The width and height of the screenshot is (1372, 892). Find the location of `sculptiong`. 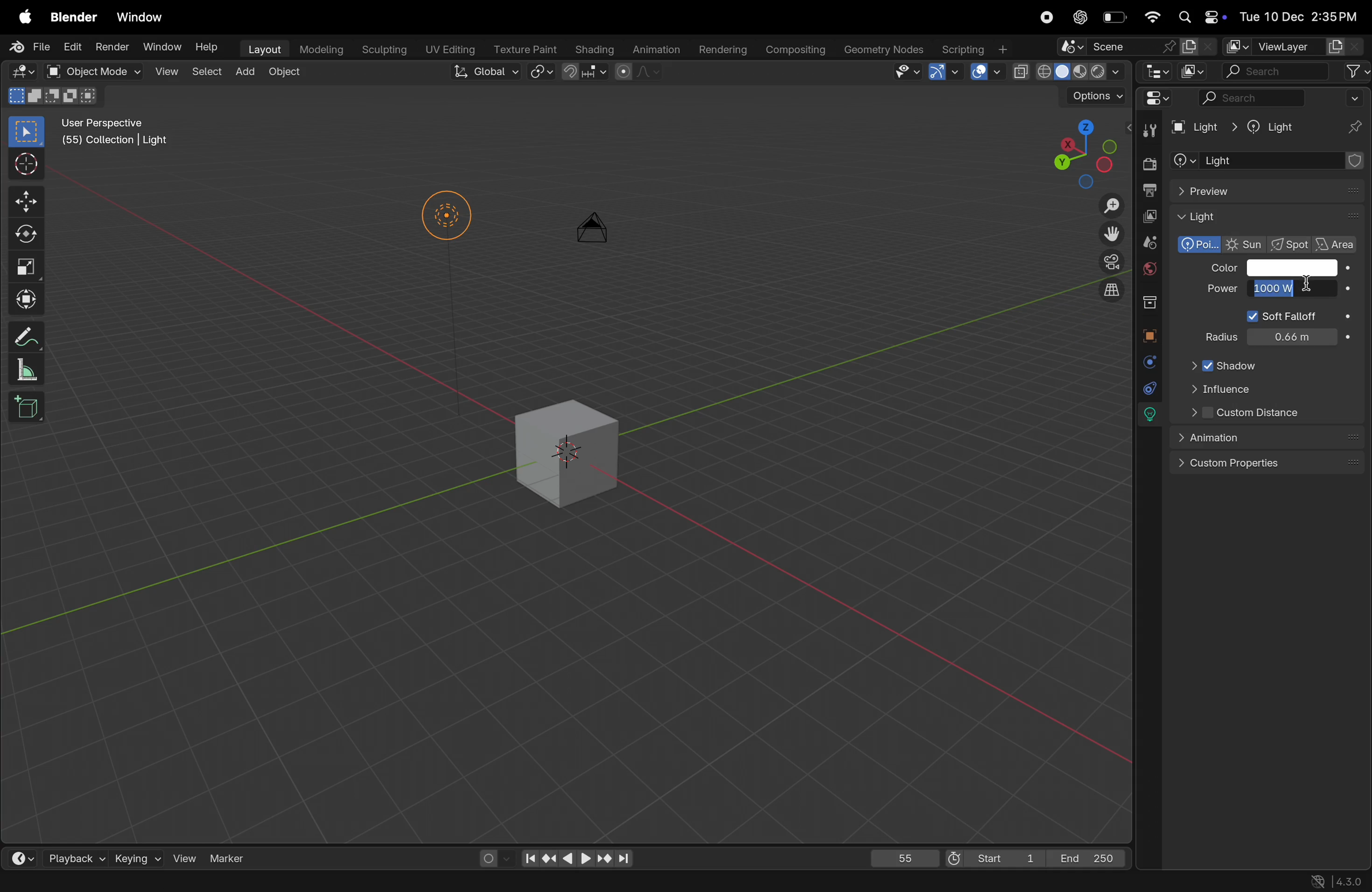

sculptiong is located at coordinates (383, 48).